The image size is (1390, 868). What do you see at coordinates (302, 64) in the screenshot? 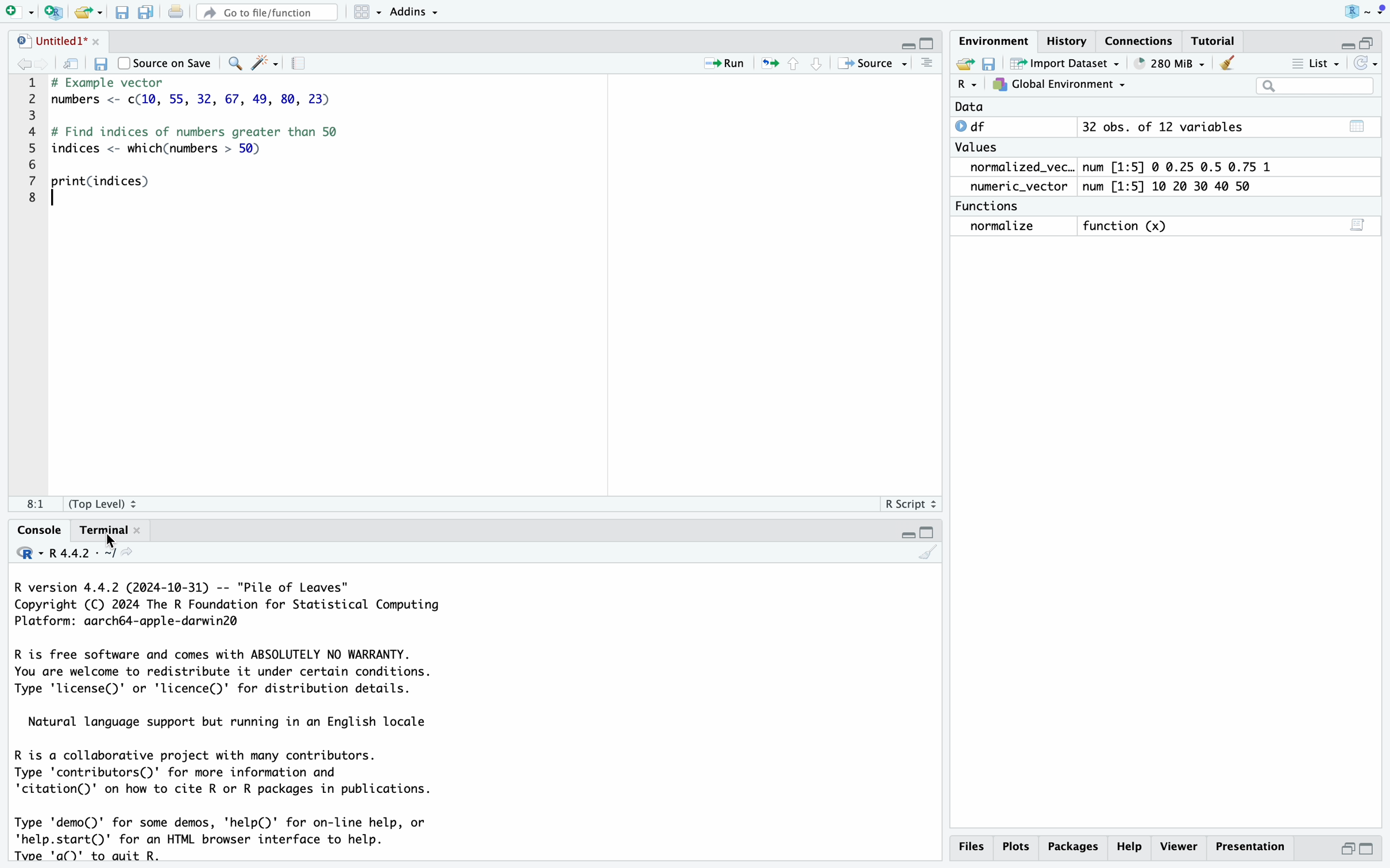
I see `SETTINGS` at bounding box center [302, 64].